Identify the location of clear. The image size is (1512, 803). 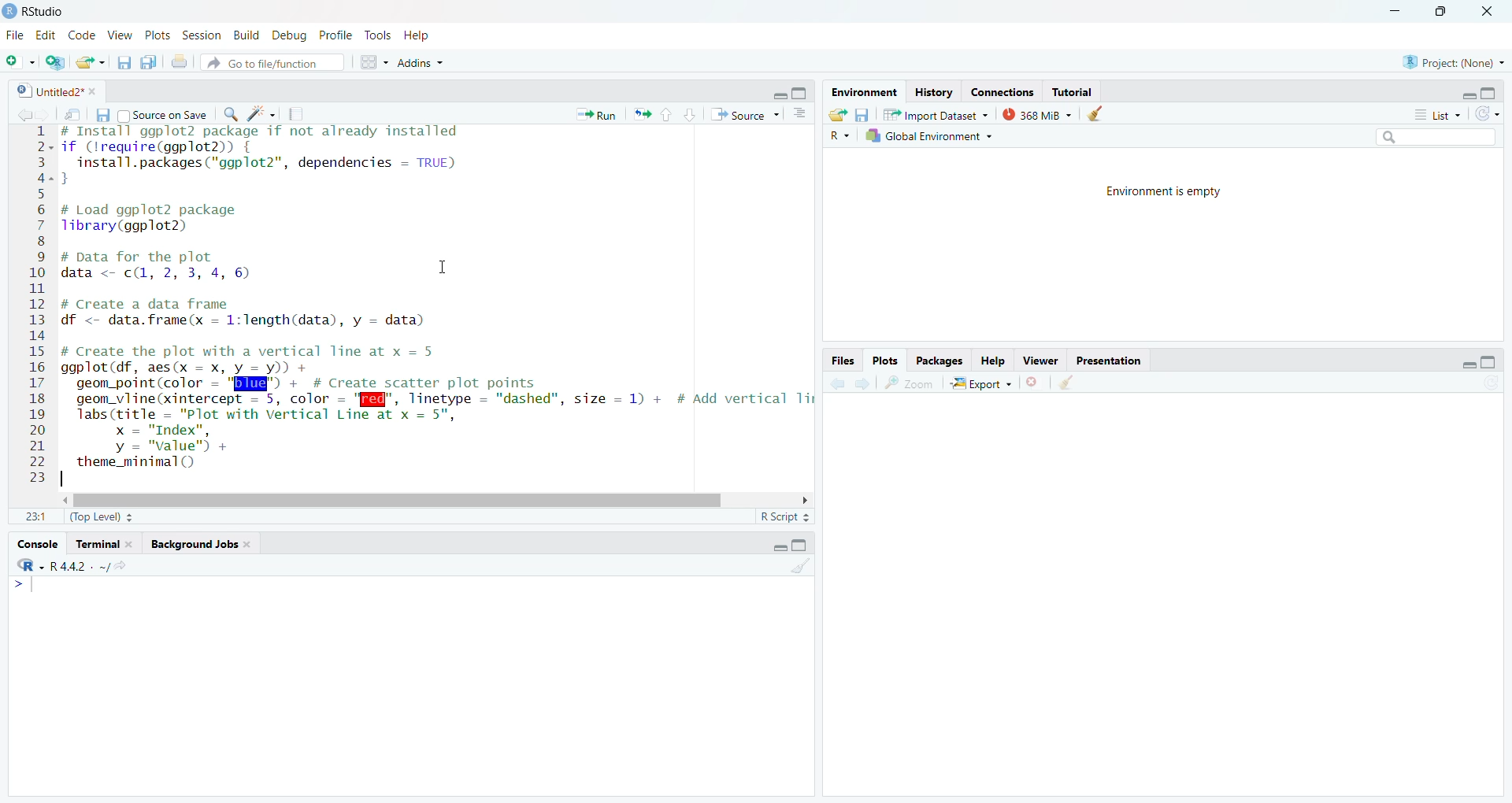
(1098, 114).